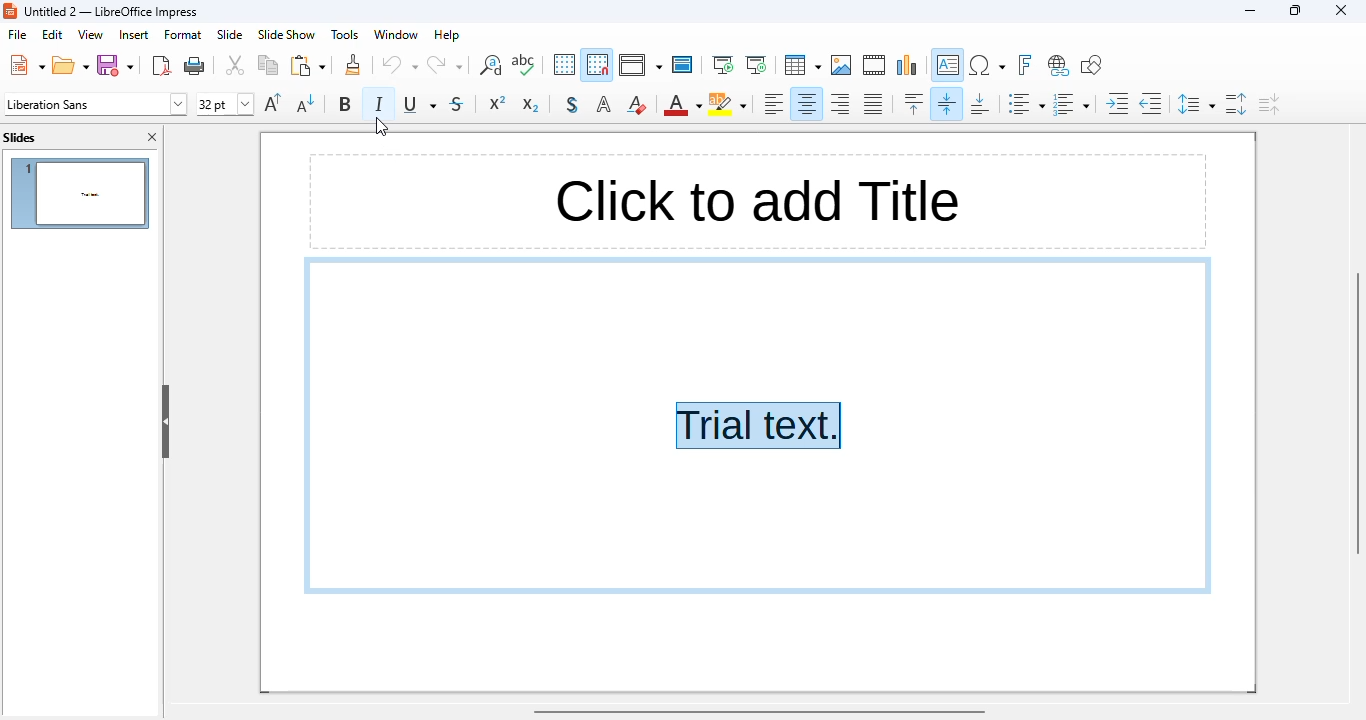 The height and width of the screenshot is (720, 1366). Describe the element at coordinates (1058, 66) in the screenshot. I see `insert hyperlink` at that location.